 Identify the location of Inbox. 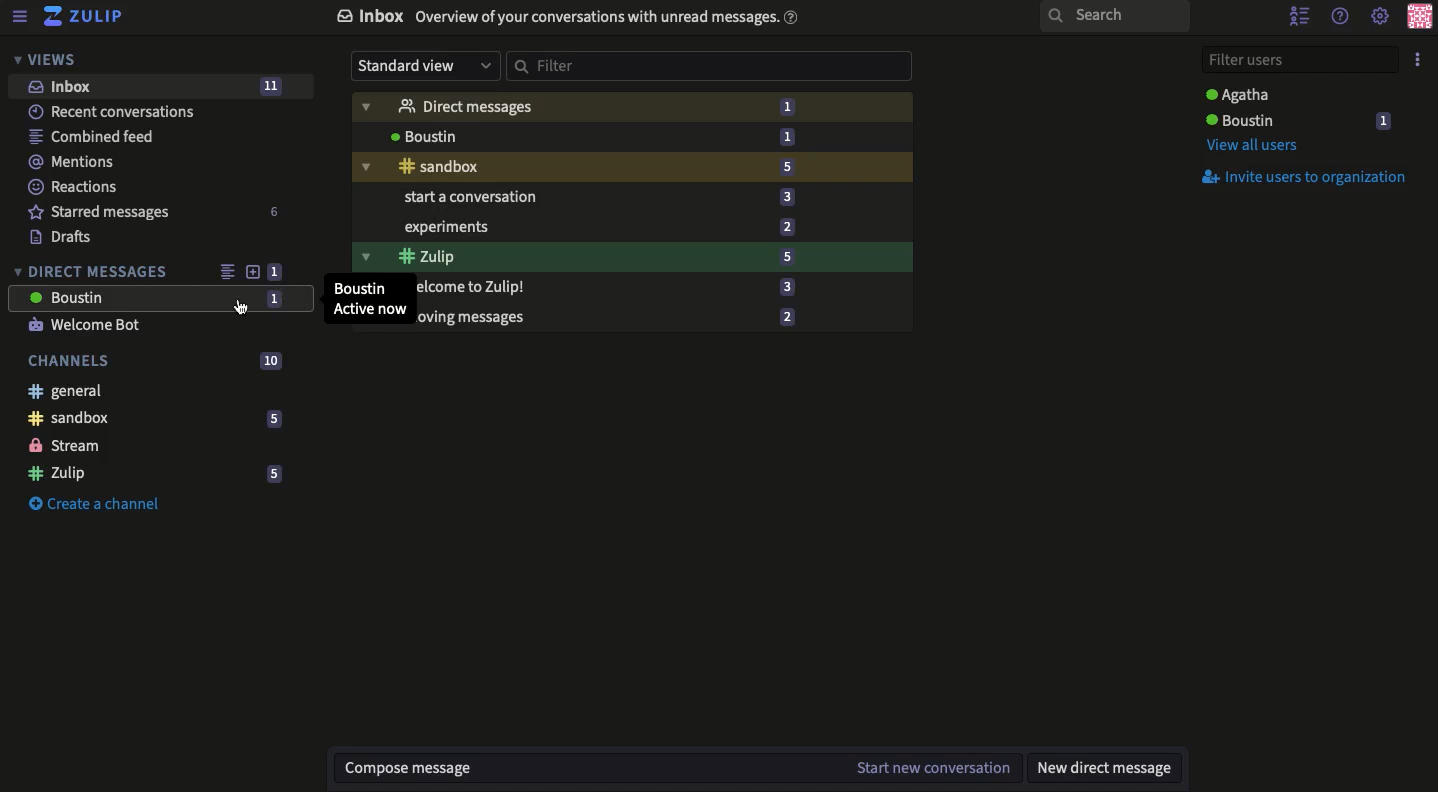
(564, 18).